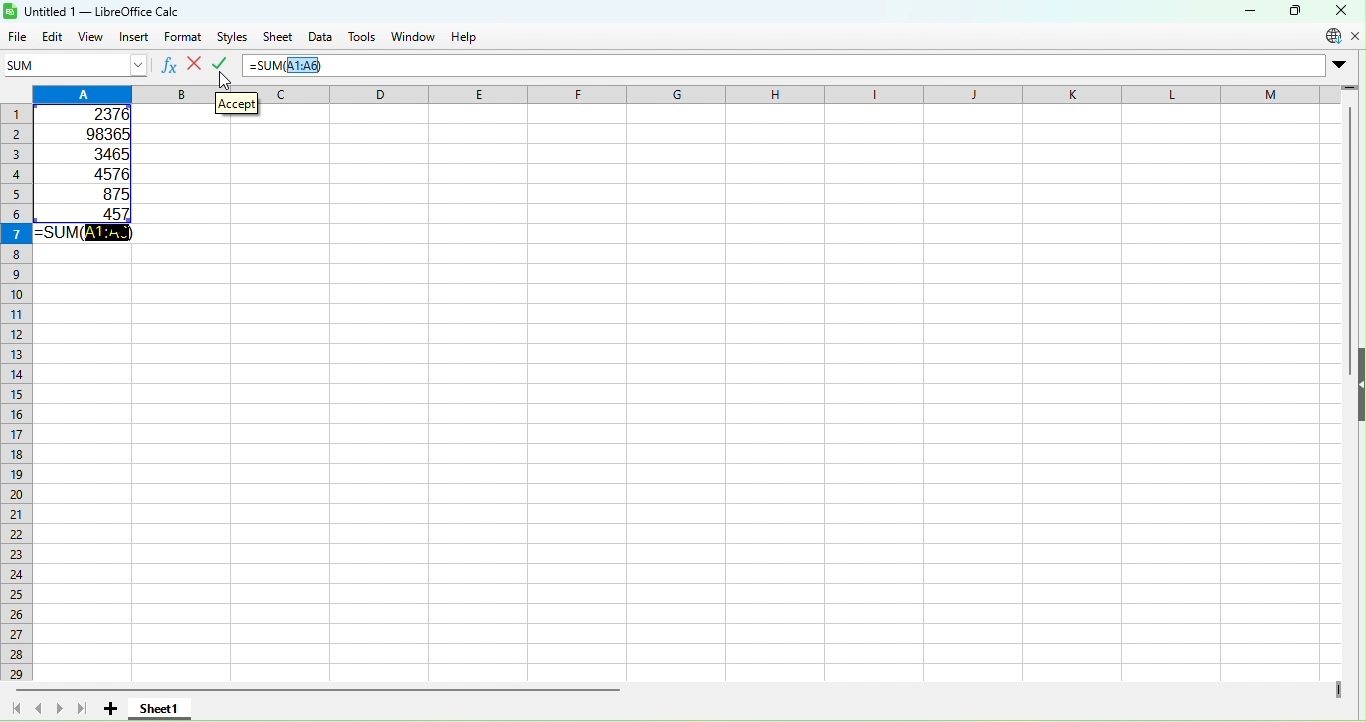 The width and height of the screenshot is (1366, 722). Describe the element at coordinates (812, 95) in the screenshot. I see `Columns` at that location.